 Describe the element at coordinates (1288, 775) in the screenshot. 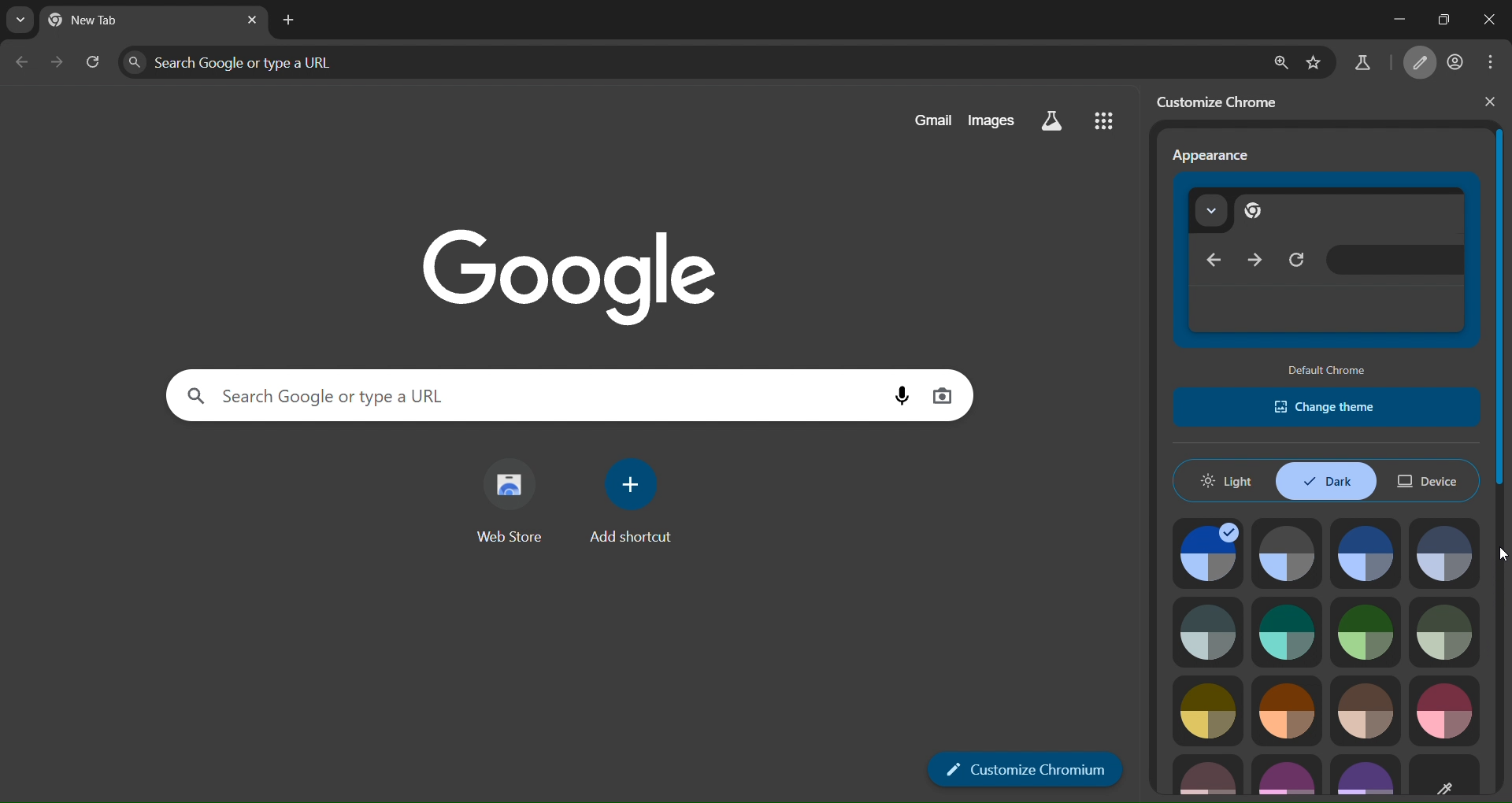

I see `theme` at that location.